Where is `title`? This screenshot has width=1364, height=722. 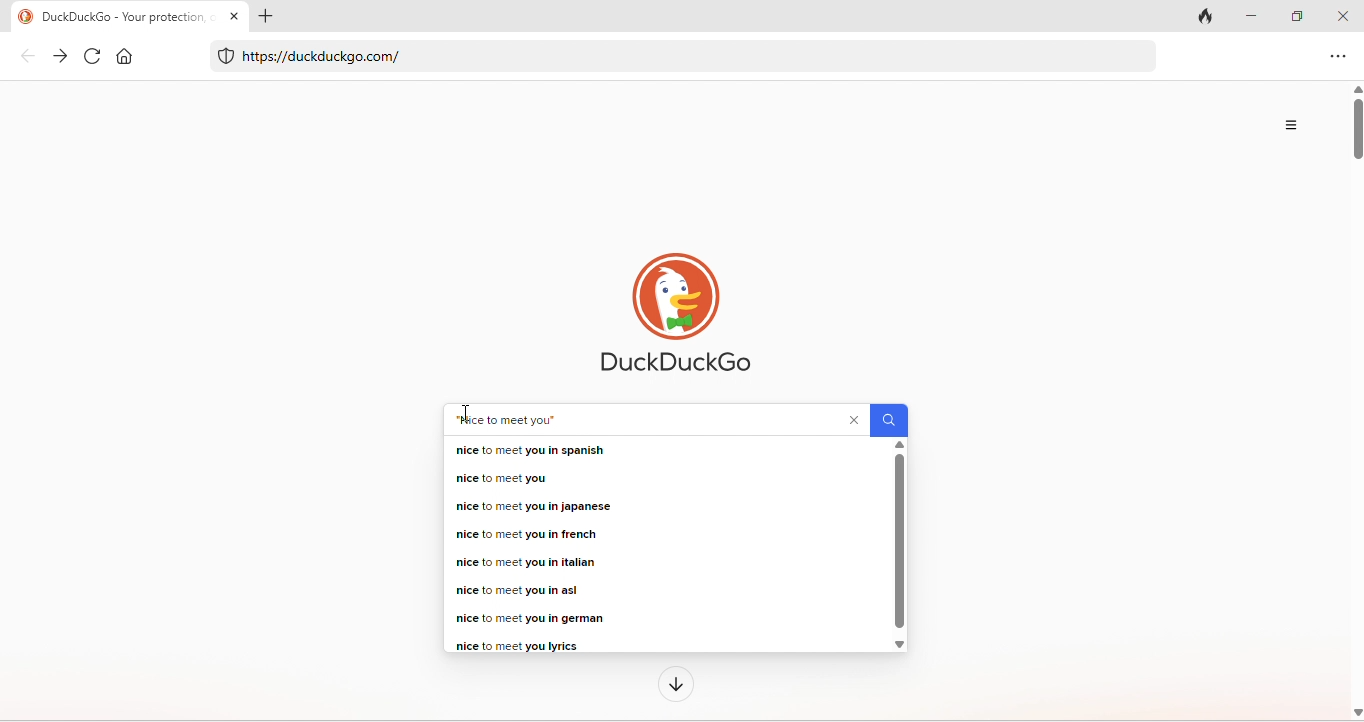 title is located at coordinates (110, 16).